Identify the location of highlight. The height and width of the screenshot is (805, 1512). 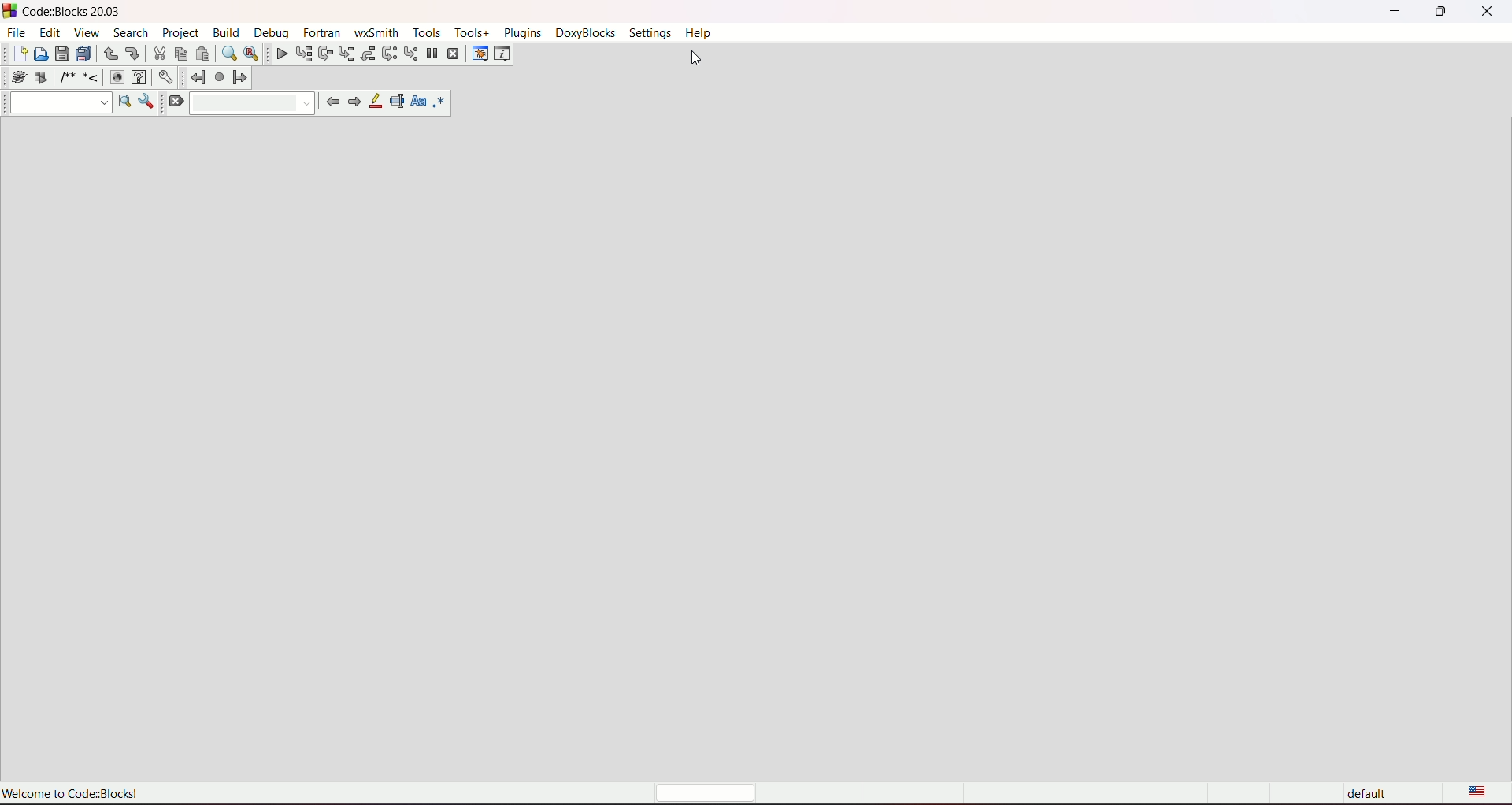
(376, 102).